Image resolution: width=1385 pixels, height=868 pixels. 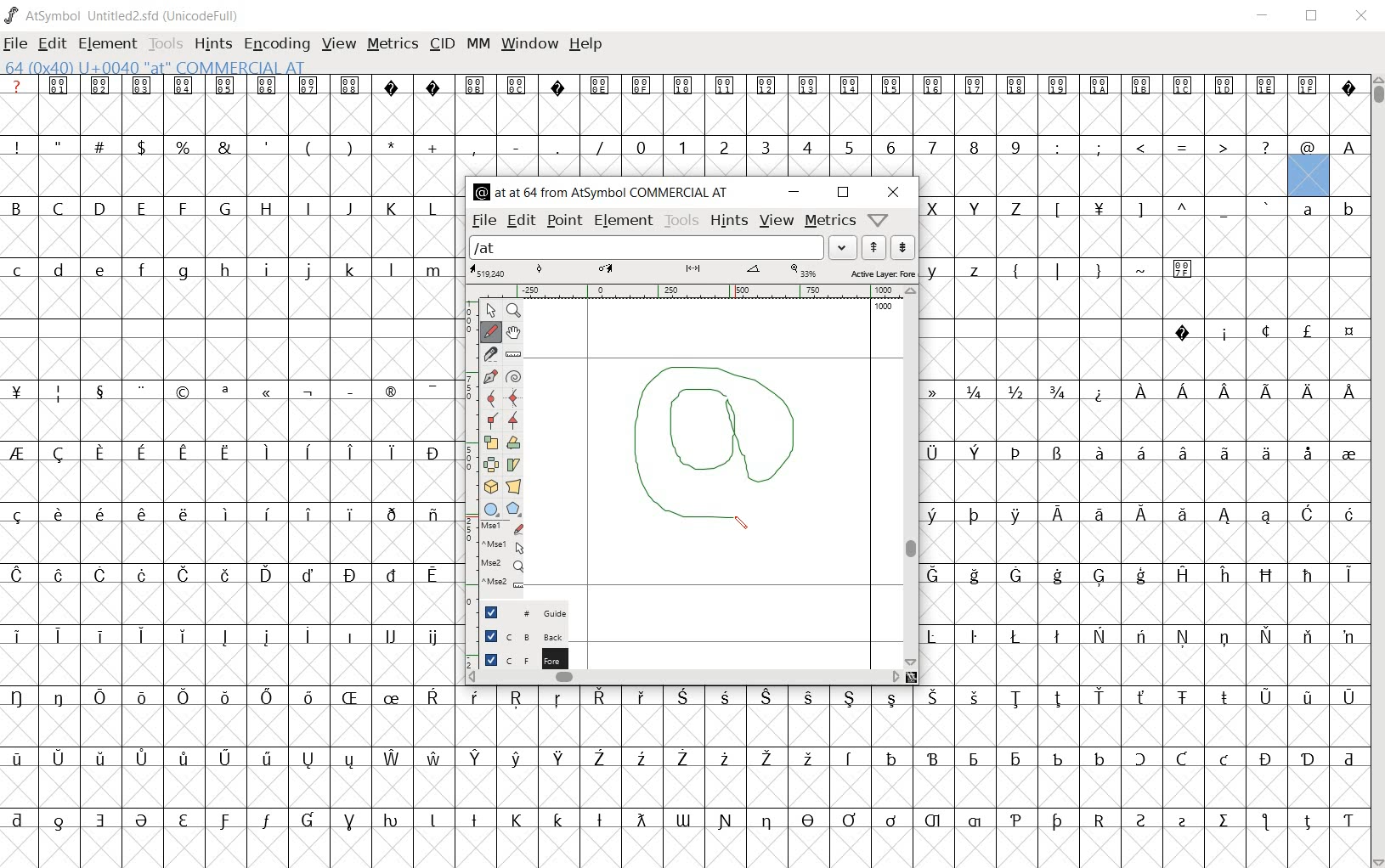 I want to click on scrollbar, so click(x=911, y=476).